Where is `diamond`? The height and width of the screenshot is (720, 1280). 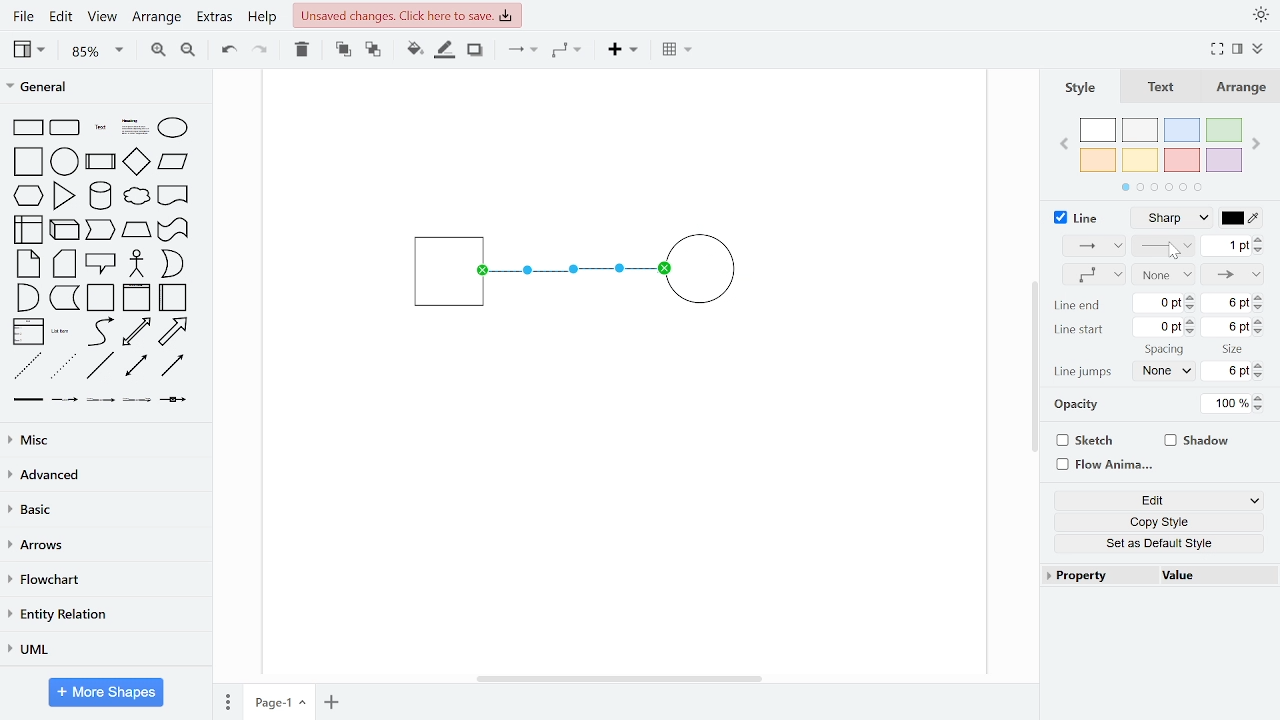
diamond is located at coordinates (136, 163).